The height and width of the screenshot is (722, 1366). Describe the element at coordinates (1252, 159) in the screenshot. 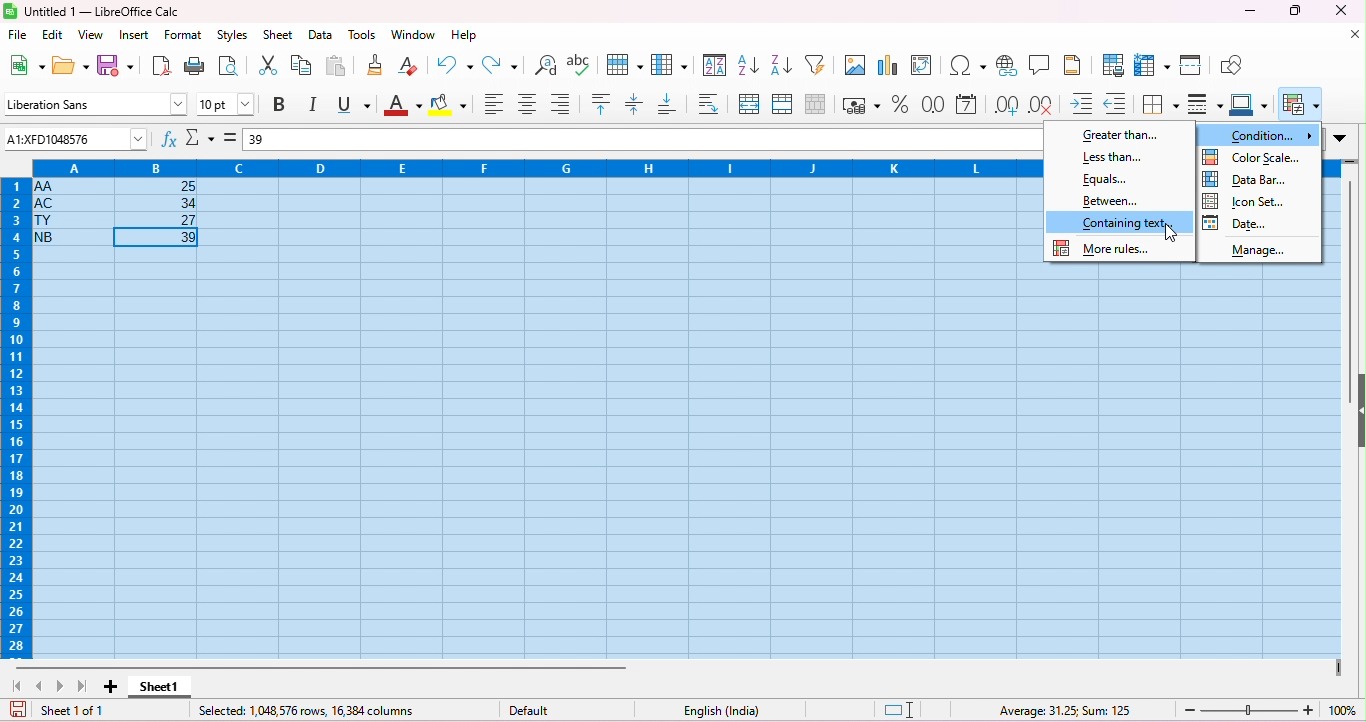

I see `color scale` at that location.